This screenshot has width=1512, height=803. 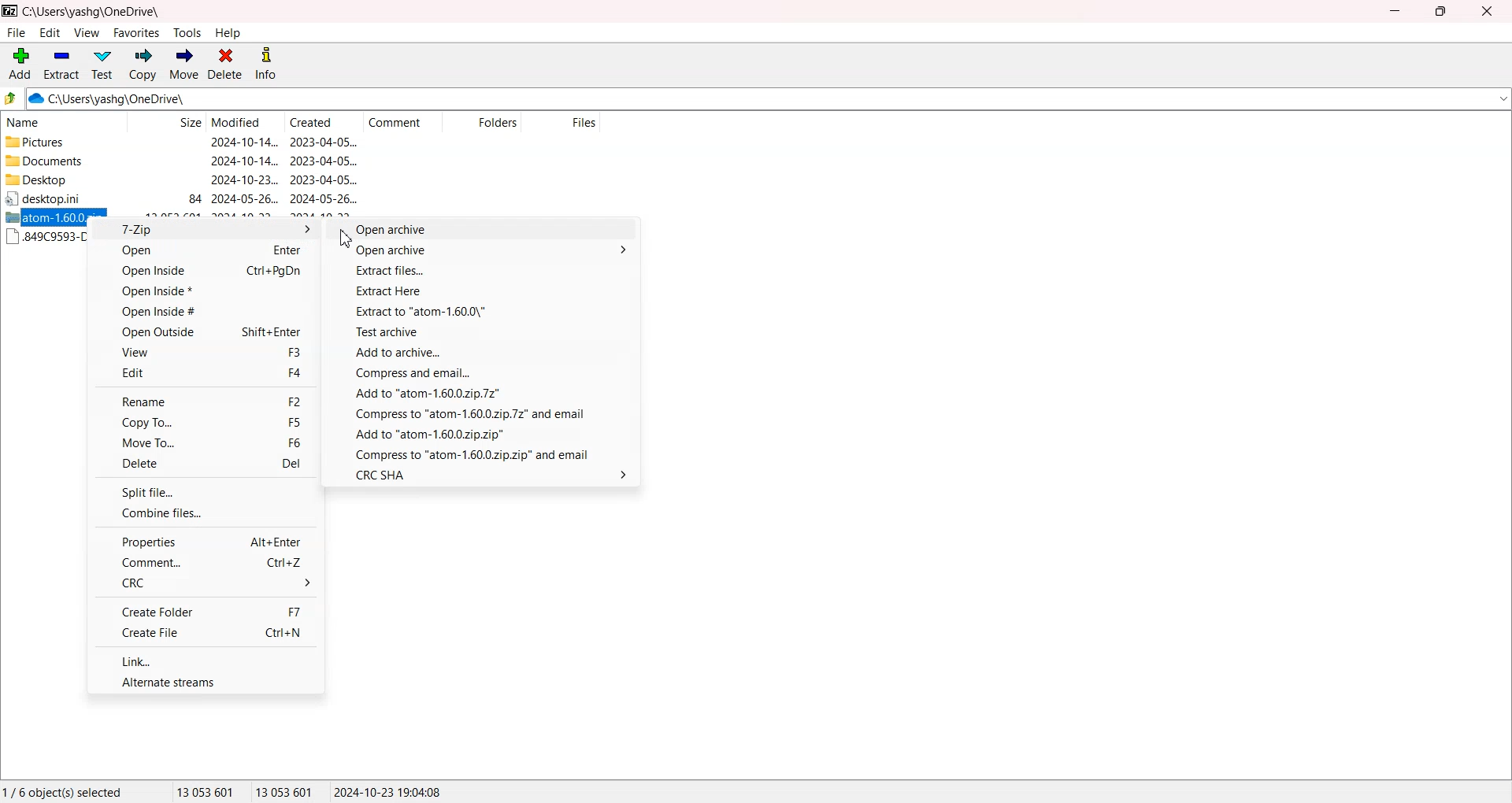 I want to click on 2023-04-05, so click(x=324, y=179).